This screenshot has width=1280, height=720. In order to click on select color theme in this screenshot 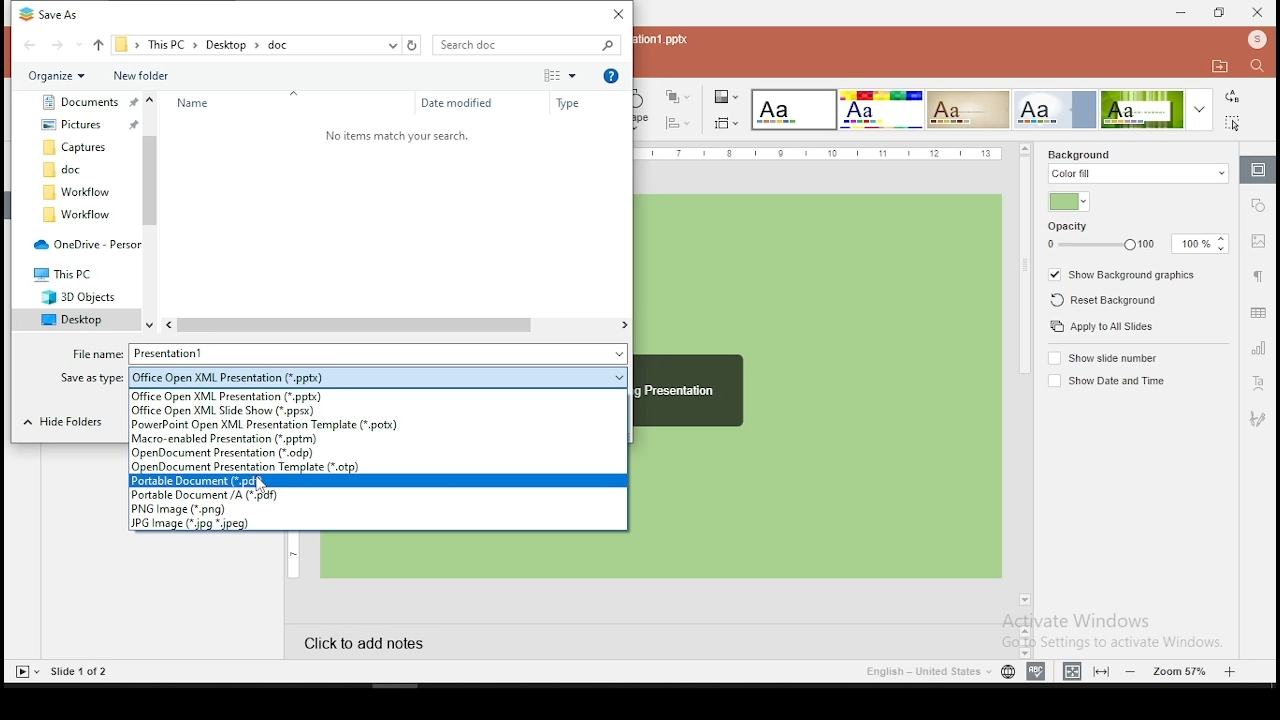, I will do `click(880, 109)`.